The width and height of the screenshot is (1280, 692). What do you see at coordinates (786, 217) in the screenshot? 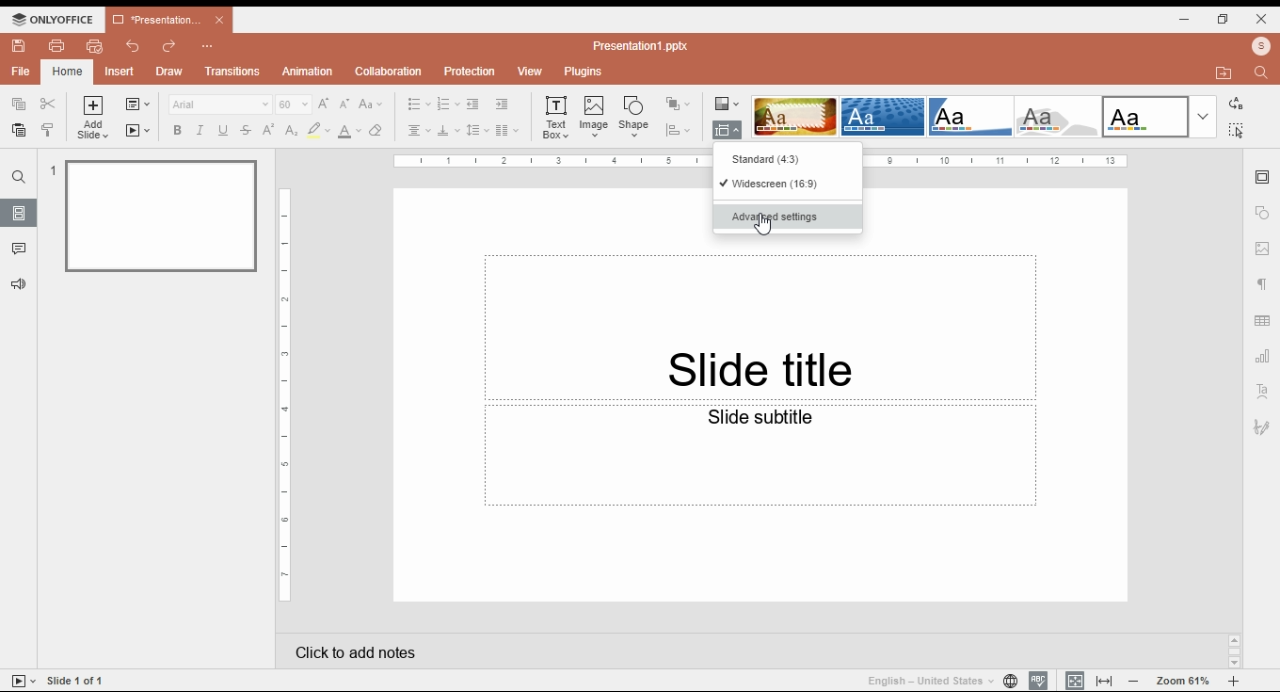
I see `advanced settings` at bounding box center [786, 217].